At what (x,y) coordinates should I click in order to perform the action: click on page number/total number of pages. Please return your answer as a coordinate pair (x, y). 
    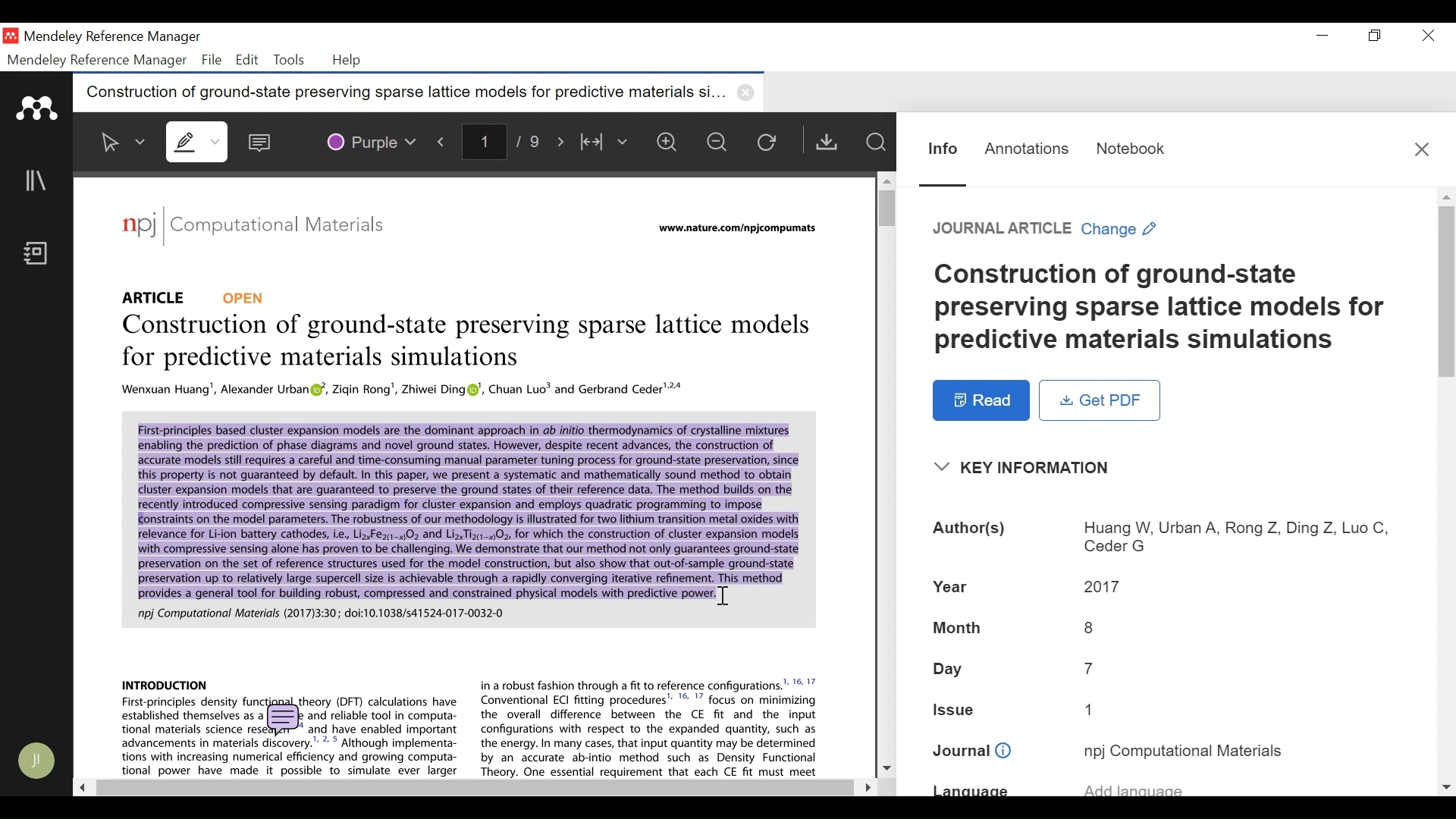
    Looking at the image, I should click on (507, 140).